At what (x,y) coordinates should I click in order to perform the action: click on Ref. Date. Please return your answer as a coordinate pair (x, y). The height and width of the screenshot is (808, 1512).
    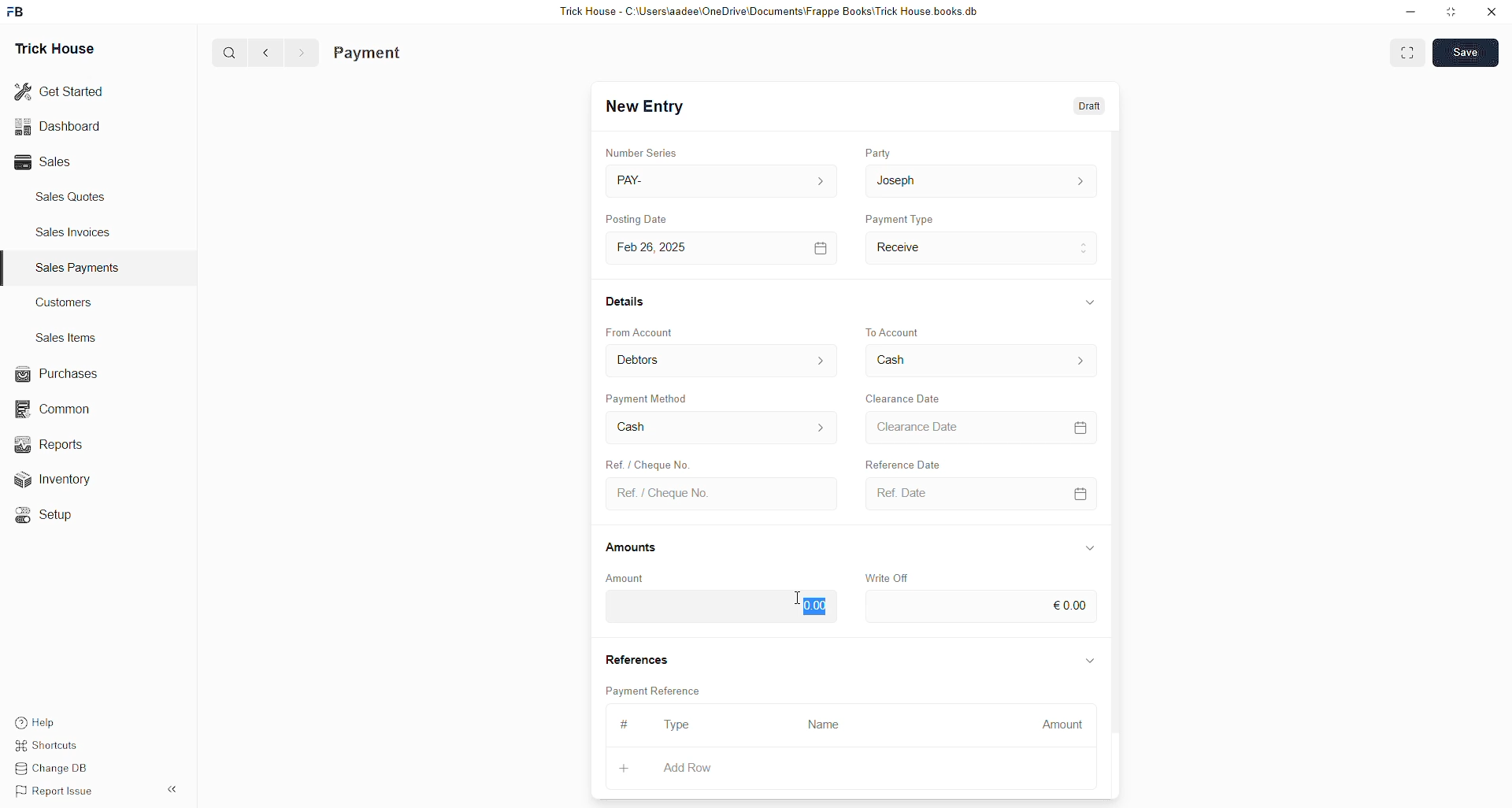
    Looking at the image, I should click on (983, 494).